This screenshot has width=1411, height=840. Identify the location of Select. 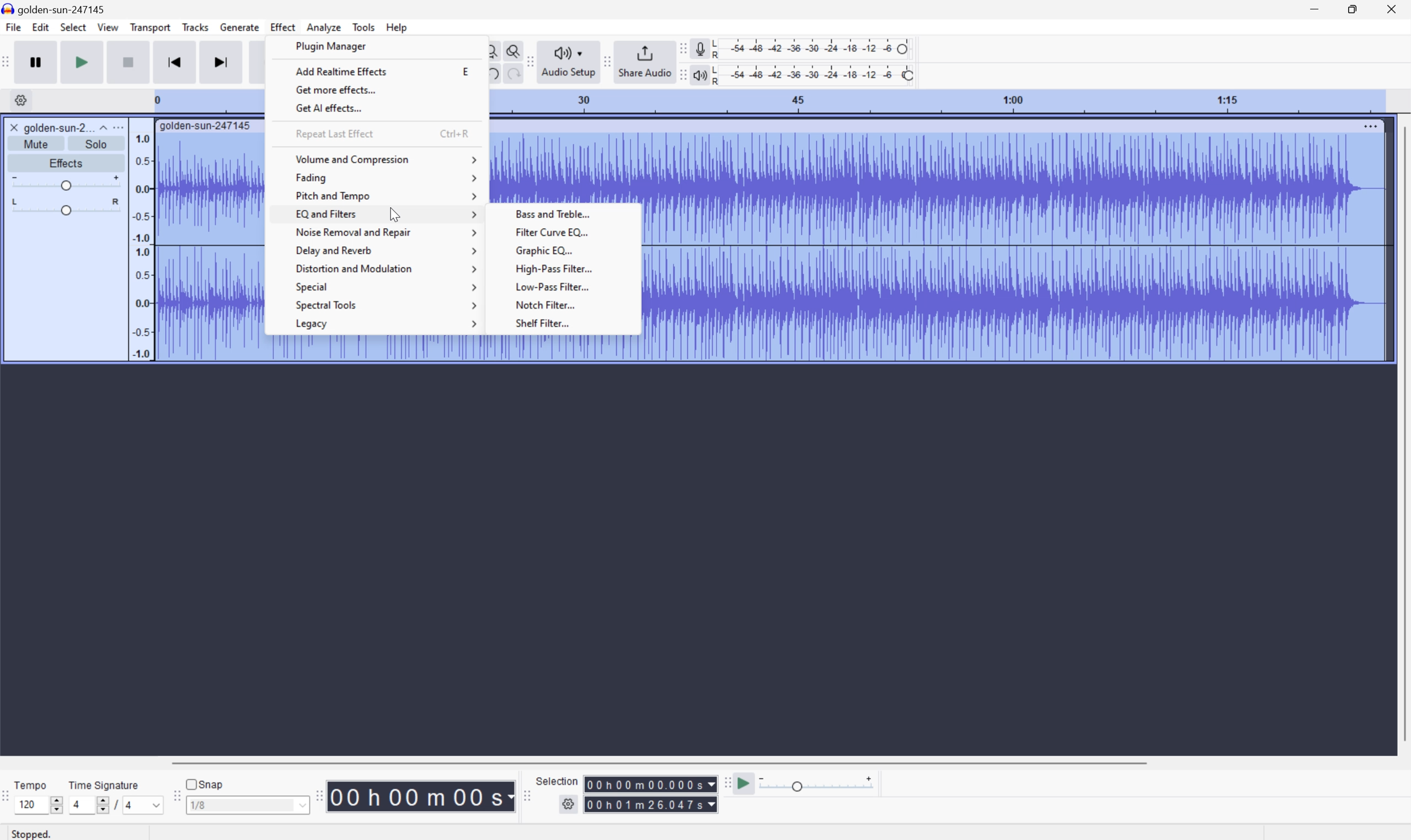
(72, 27).